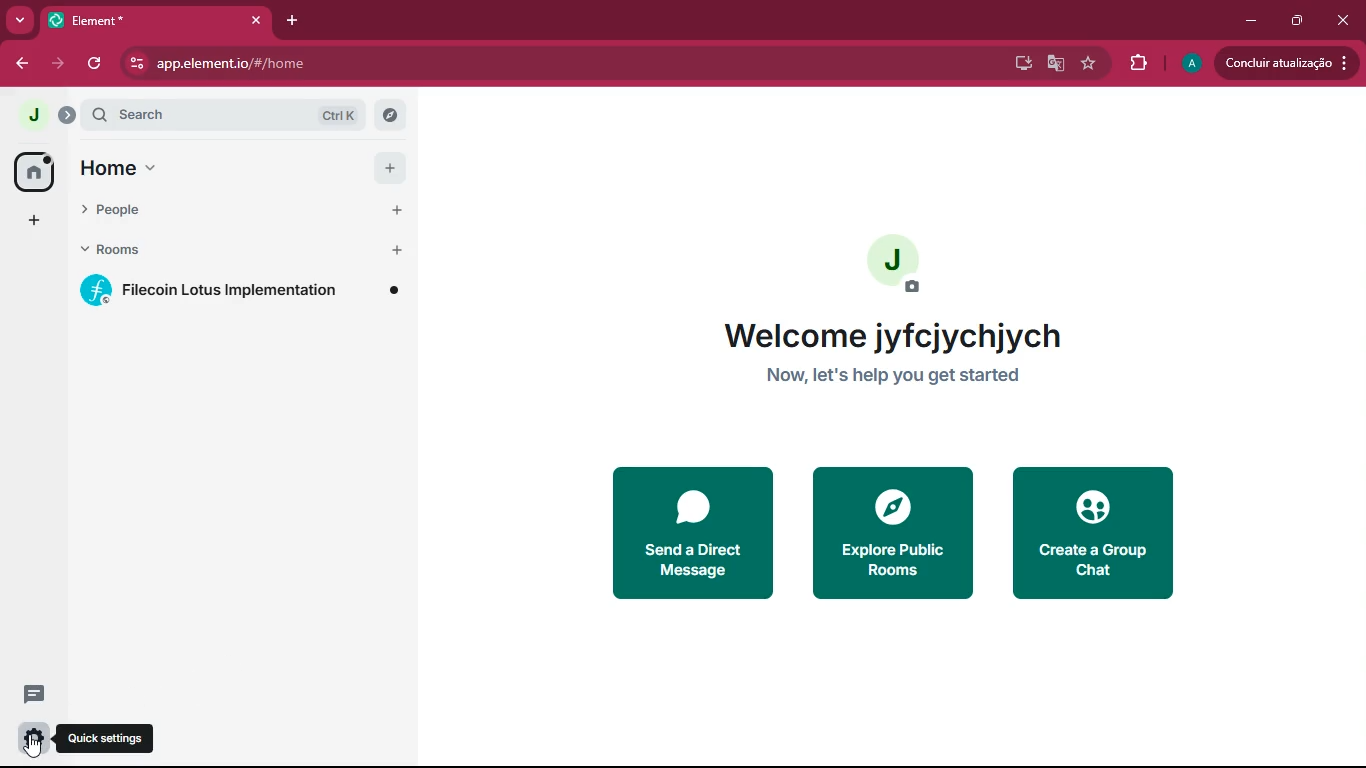 The image size is (1366, 768). I want to click on google translate, so click(1060, 63).